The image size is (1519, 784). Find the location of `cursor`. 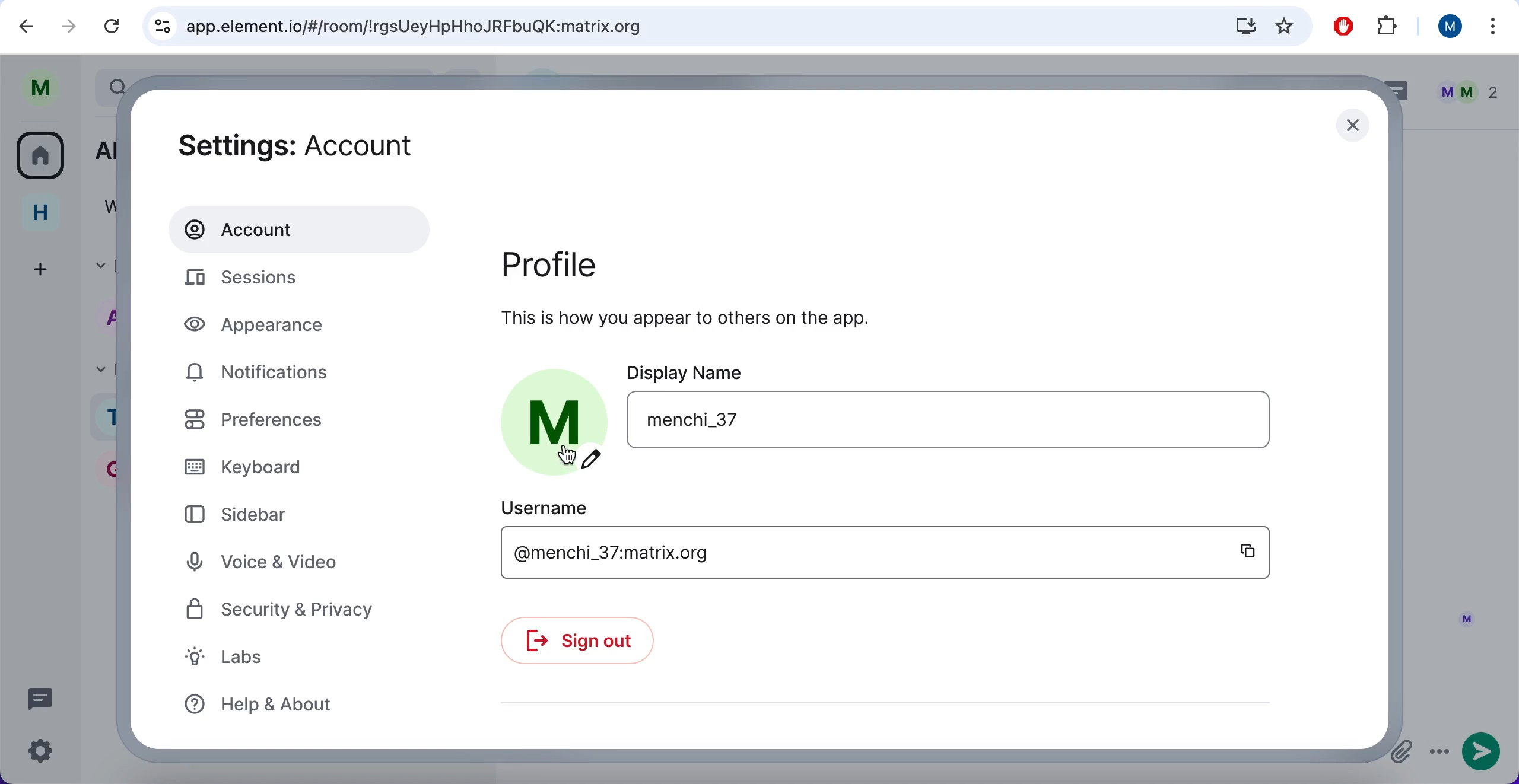

cursor is located at coordinates (567, 455).